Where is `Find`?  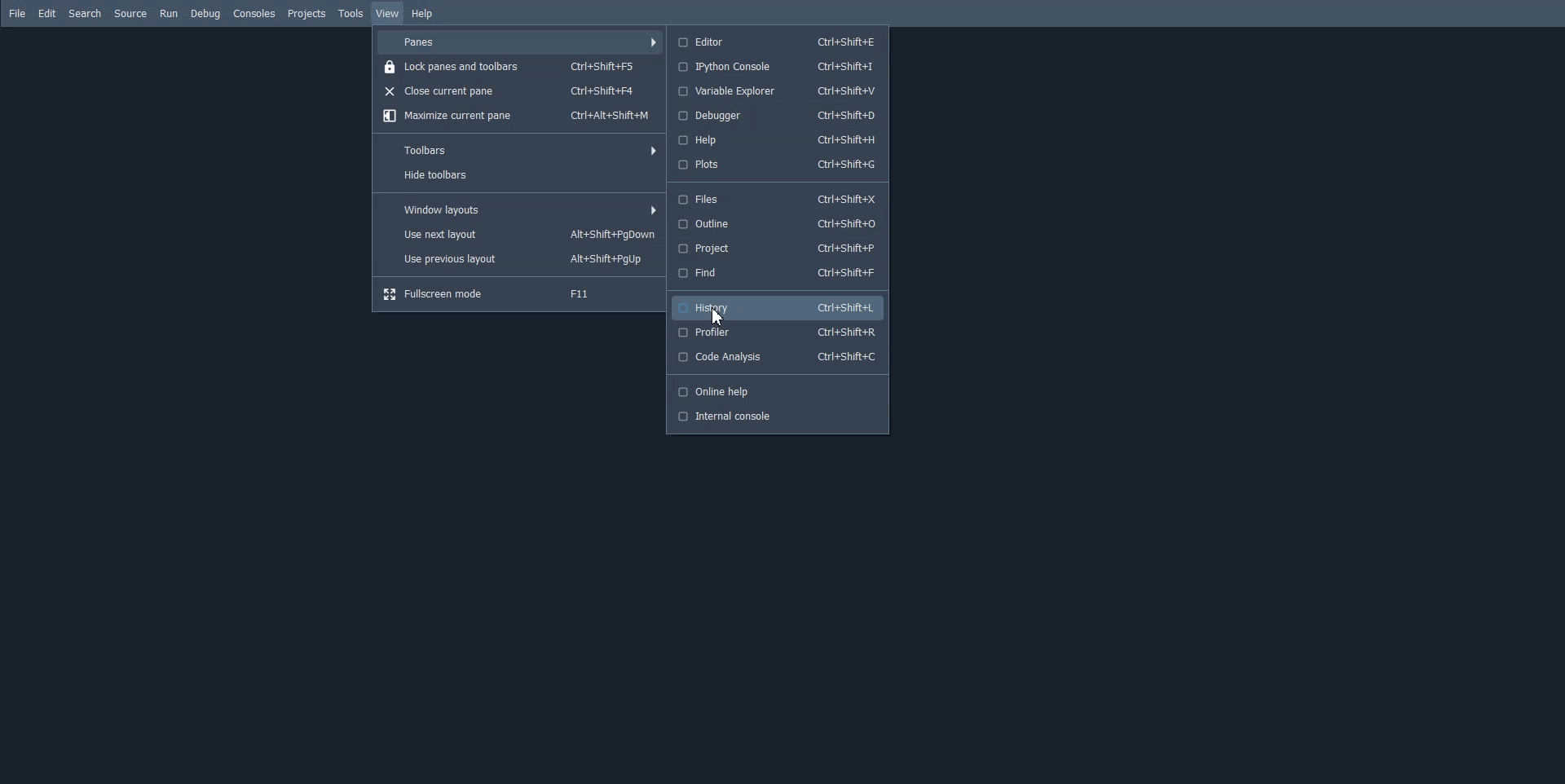 Find is located at coordinates (775, 273).